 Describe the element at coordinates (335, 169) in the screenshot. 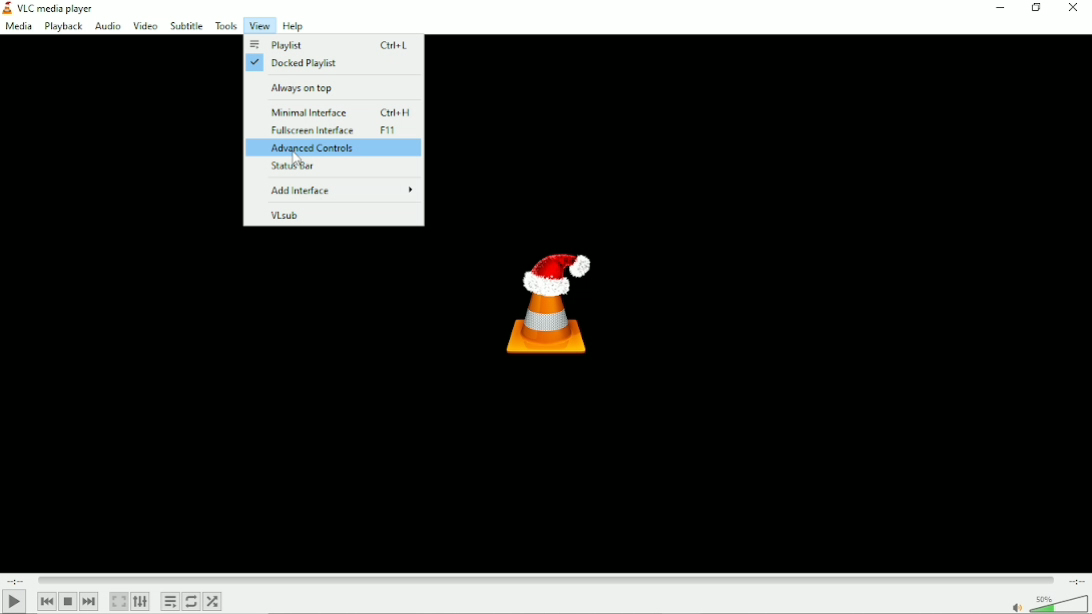

I see `Status bar` at that location.